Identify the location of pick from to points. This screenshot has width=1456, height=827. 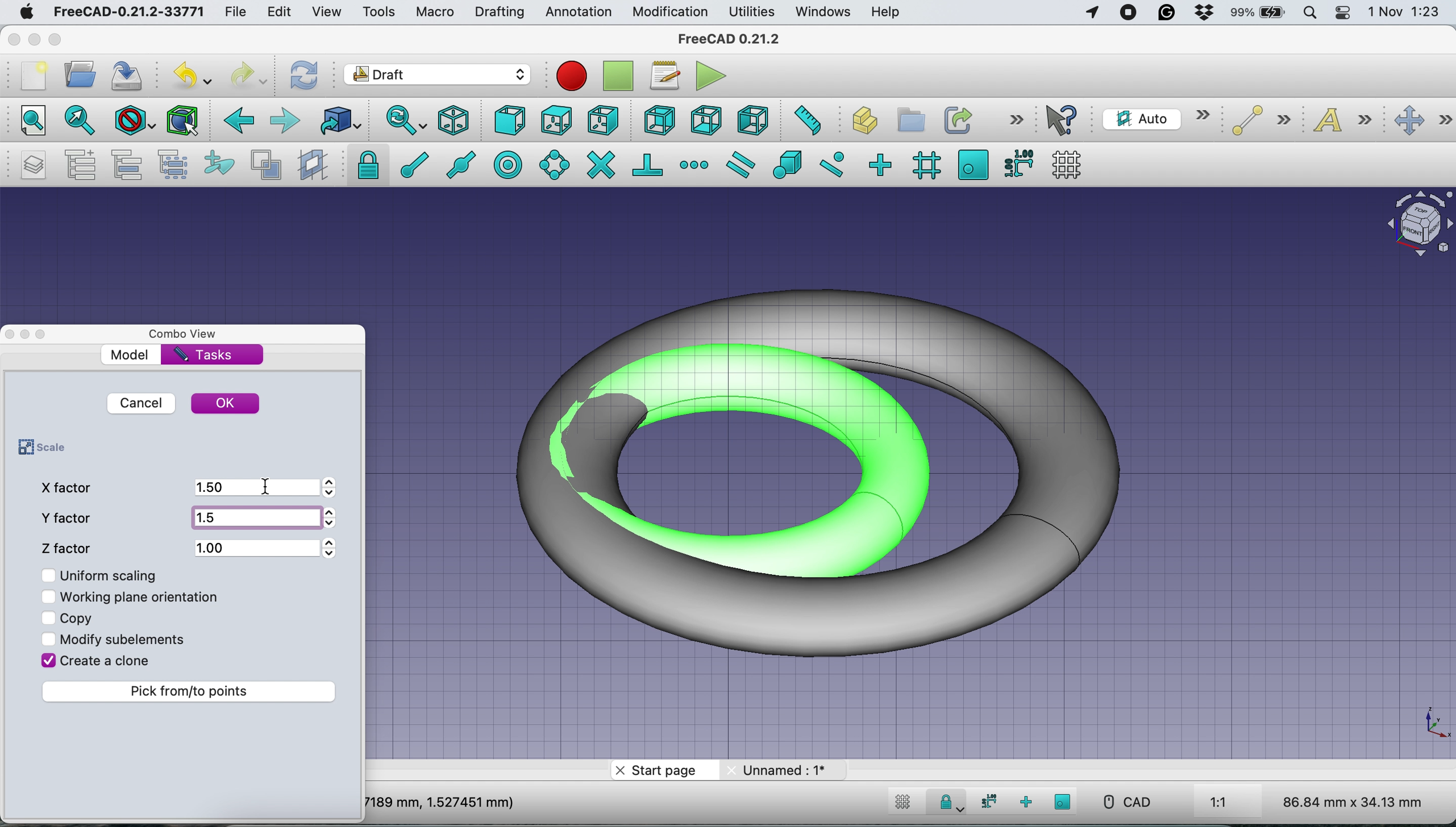
(192, 691).